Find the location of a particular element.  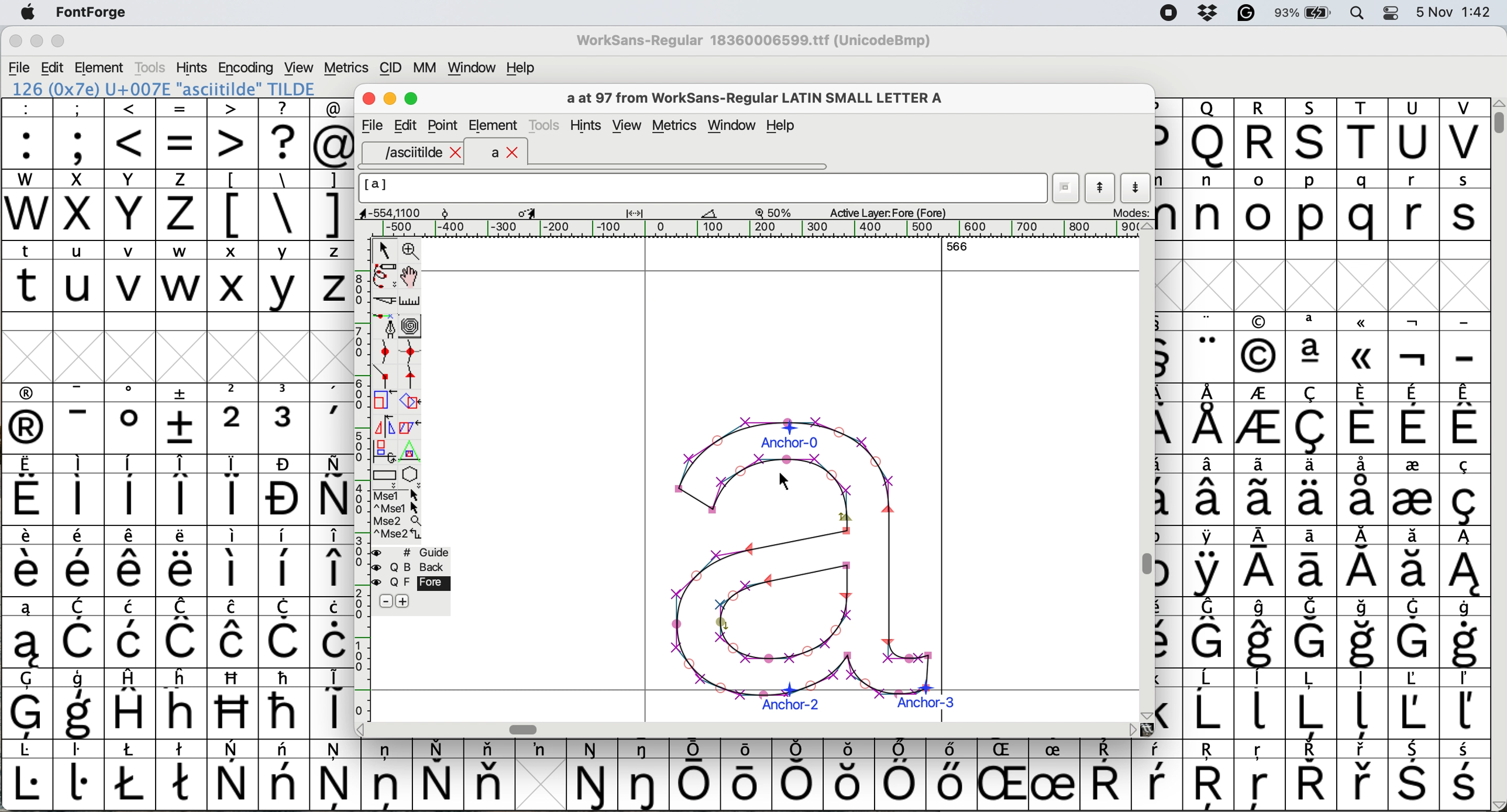

r is located at coordinates (1412, 205).